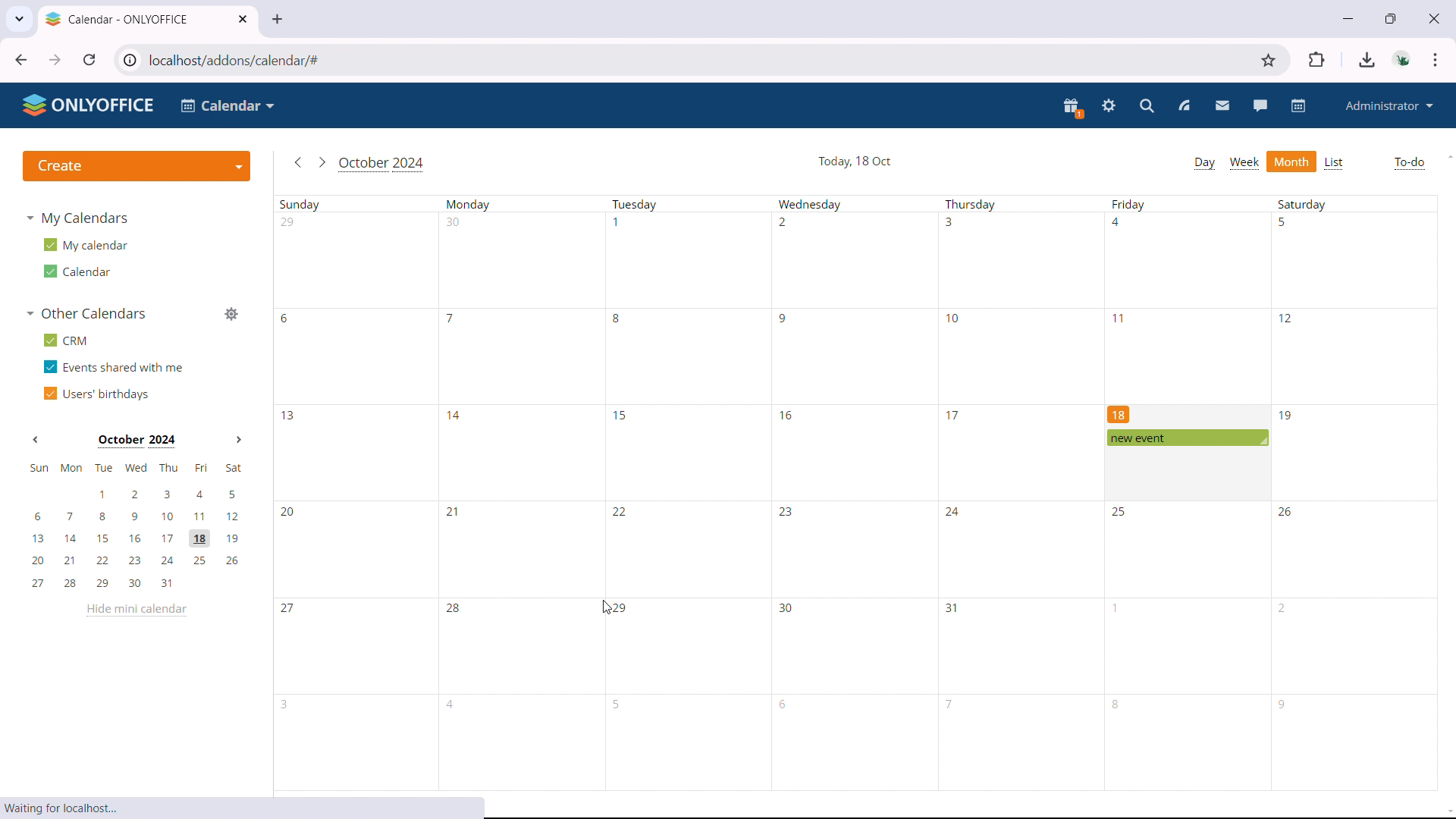 Image resolution: width=1456 pixels, height=819 pixels. I want to click on Events shared with me, so click(118, 368).